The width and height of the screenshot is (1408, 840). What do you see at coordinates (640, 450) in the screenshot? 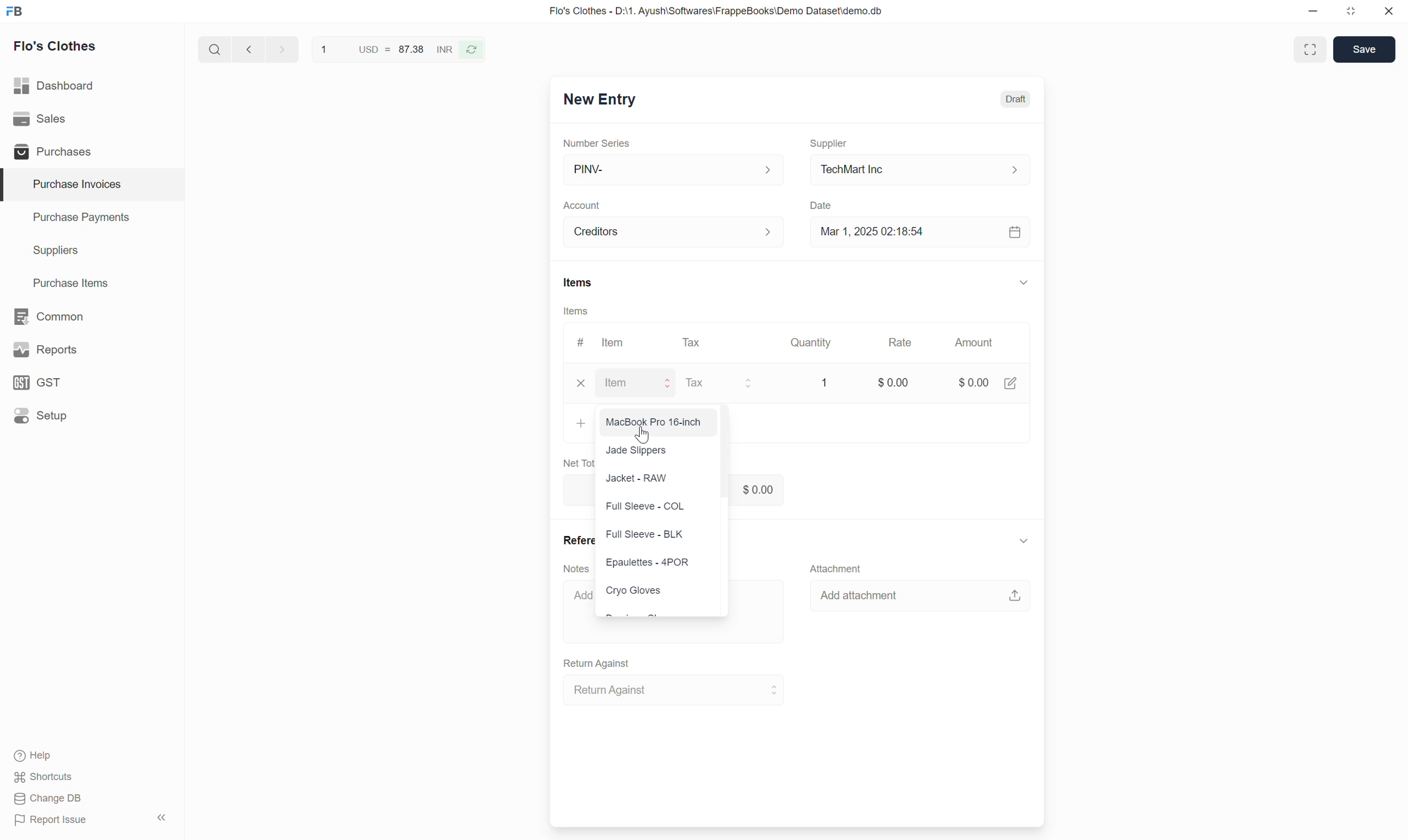
I see `Jade slippers` at bounding box center [640, 450].